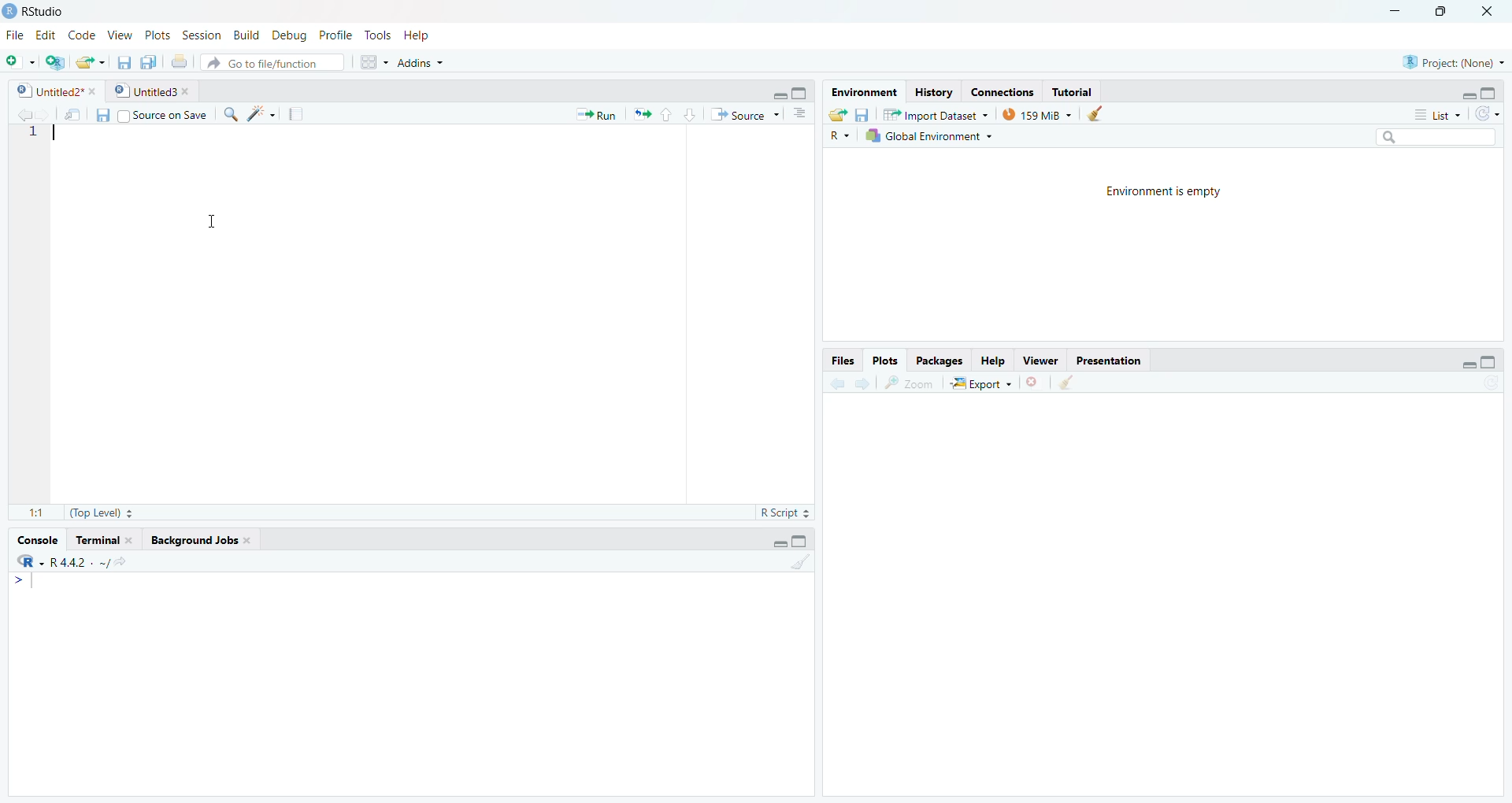 This screenshot has height=803, width=1512. Describe the element at coordinates (1490, 383) in the screenshot. I see `Refresh` at that location.